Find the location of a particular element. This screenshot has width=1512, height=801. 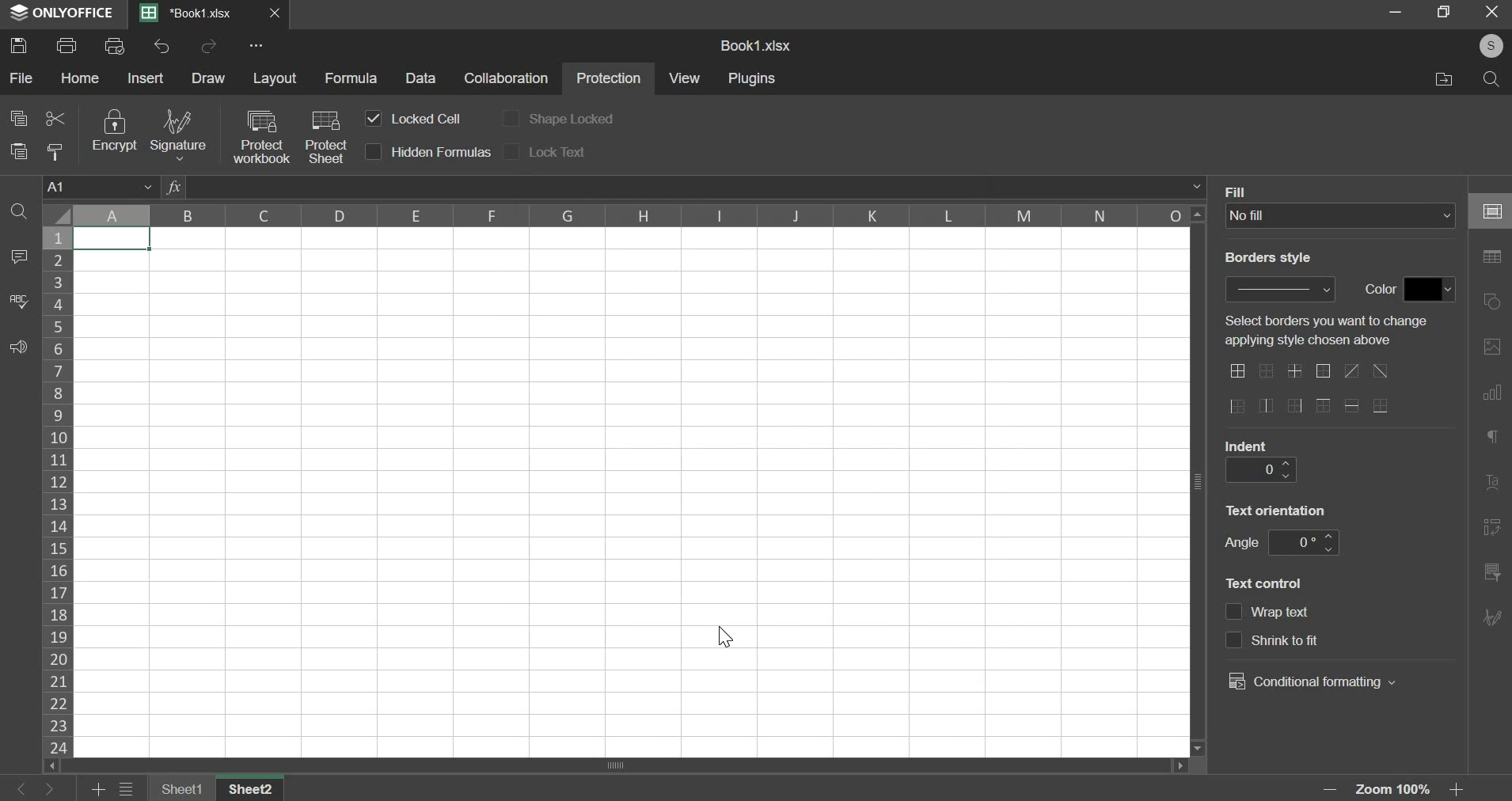

rows is located at coordinates (58, 490).